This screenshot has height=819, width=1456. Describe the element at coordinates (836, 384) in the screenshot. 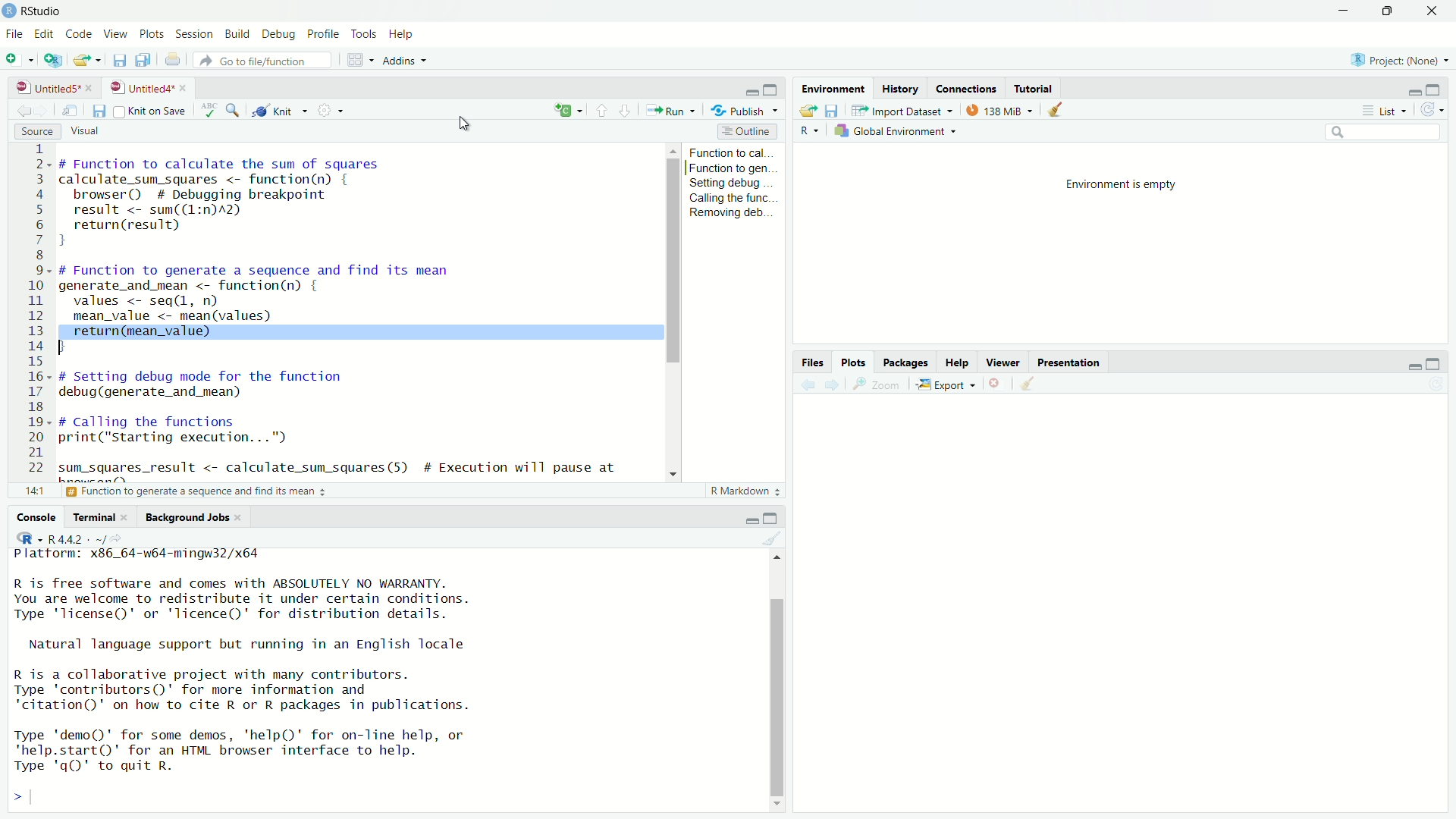

I see `next plot` at that location.